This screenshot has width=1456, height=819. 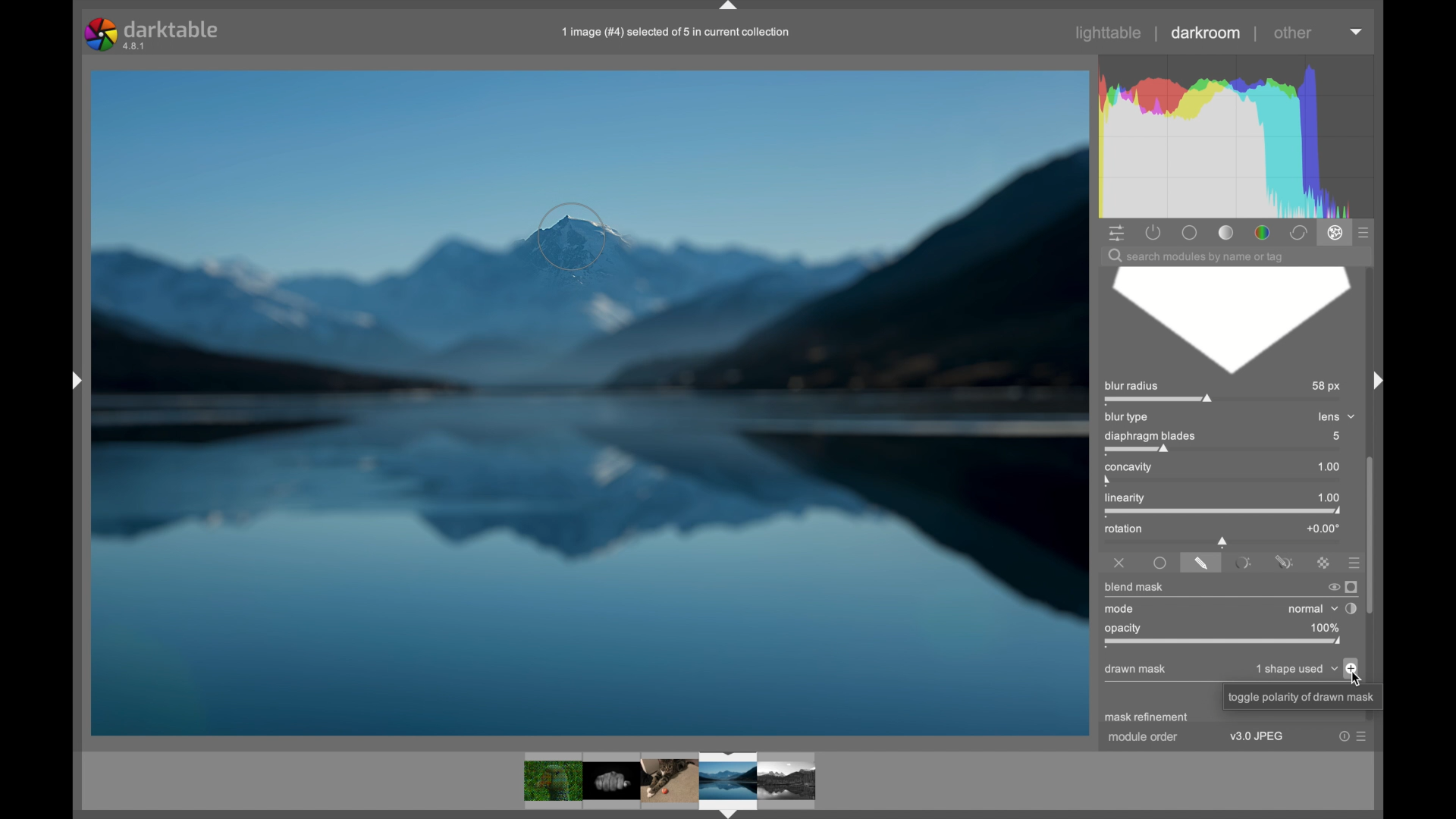 I want to click on show quick access  panel, so click(x=1116, y=232).